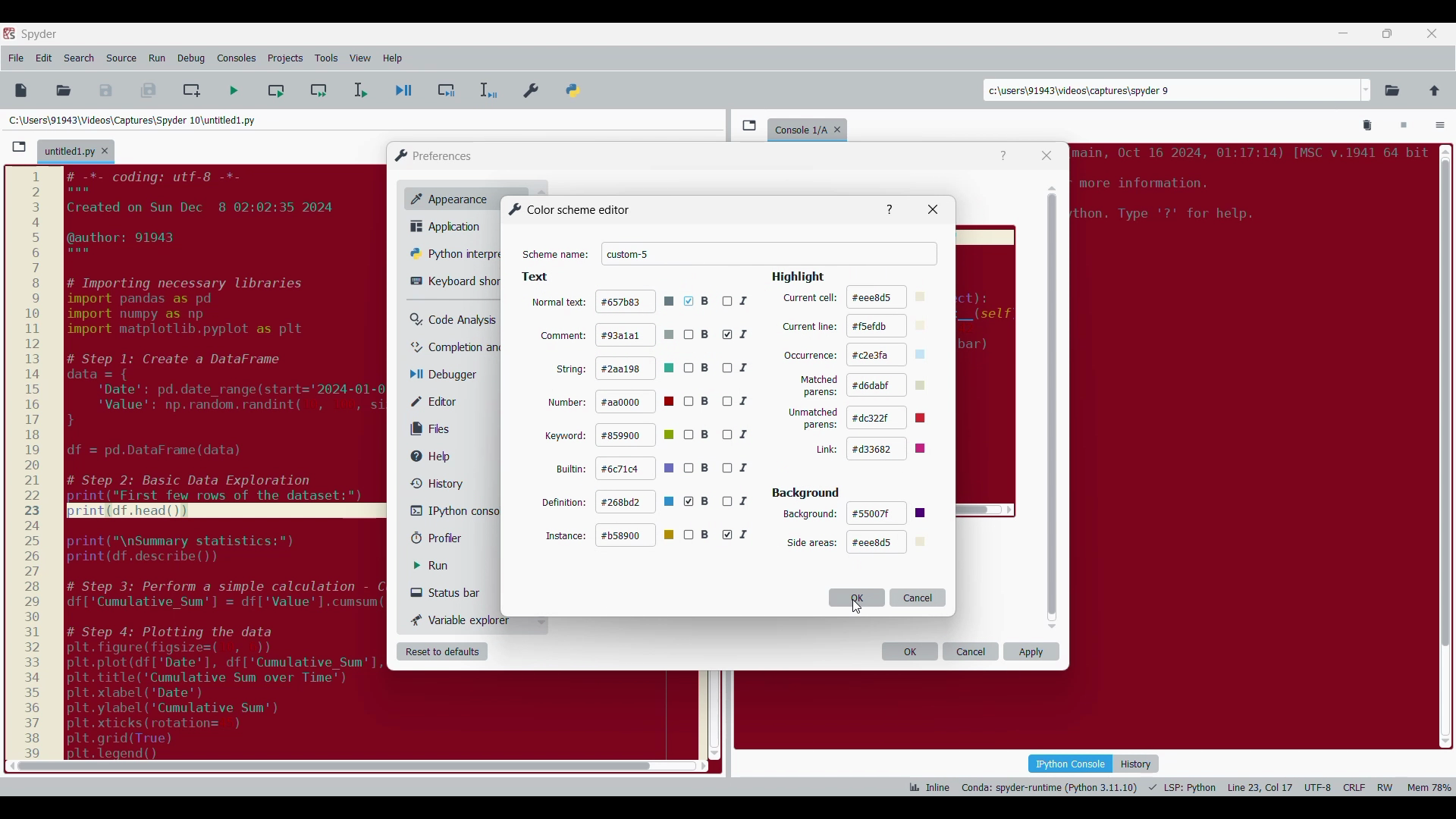 The width and height of the screenshot is (1456, 819). Describe the element at coordinates (698, 402) in the screenshot. I see `B` at that location.